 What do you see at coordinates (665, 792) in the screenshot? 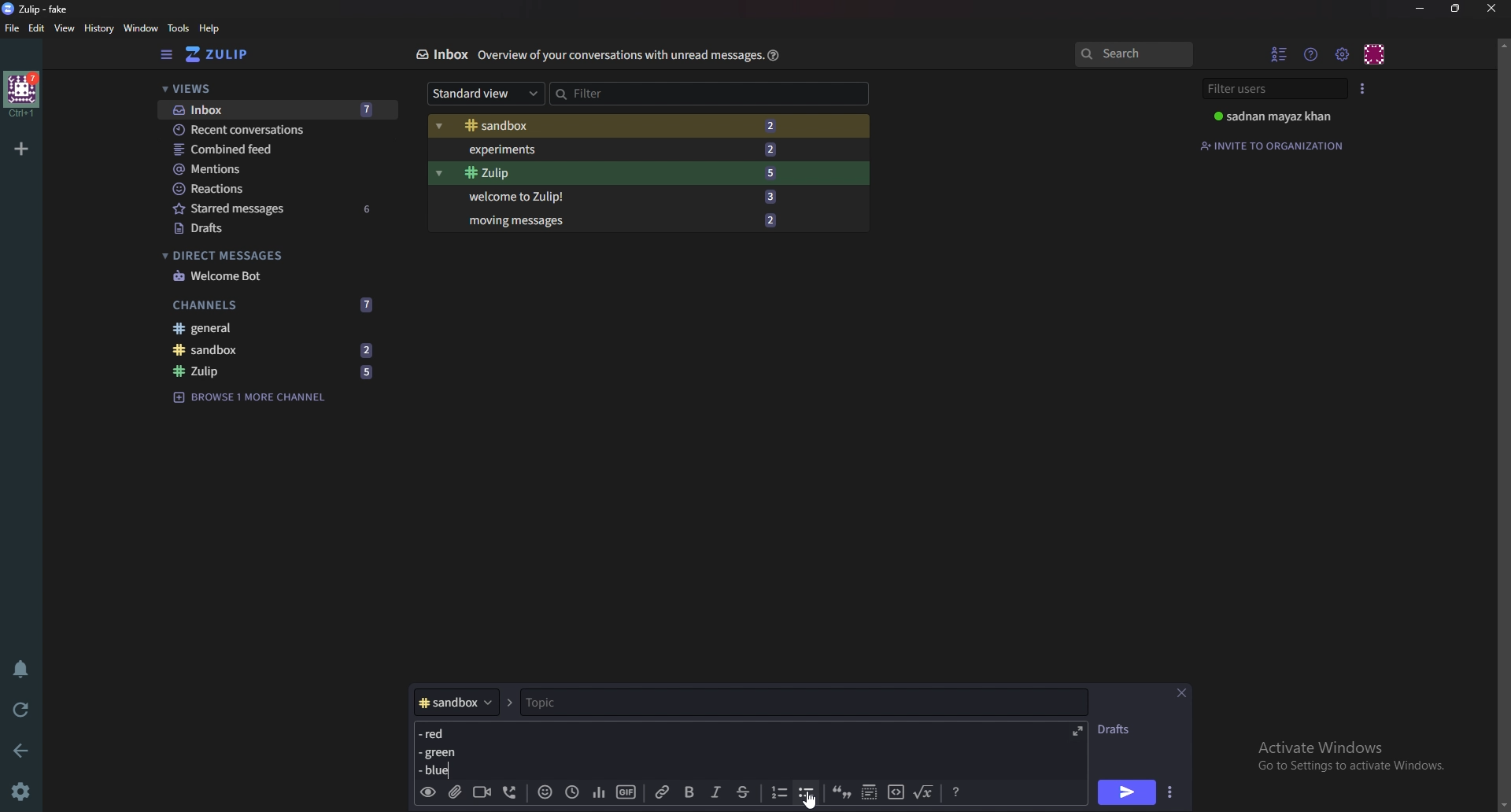
I see `link` at bounding box center [665, 792].